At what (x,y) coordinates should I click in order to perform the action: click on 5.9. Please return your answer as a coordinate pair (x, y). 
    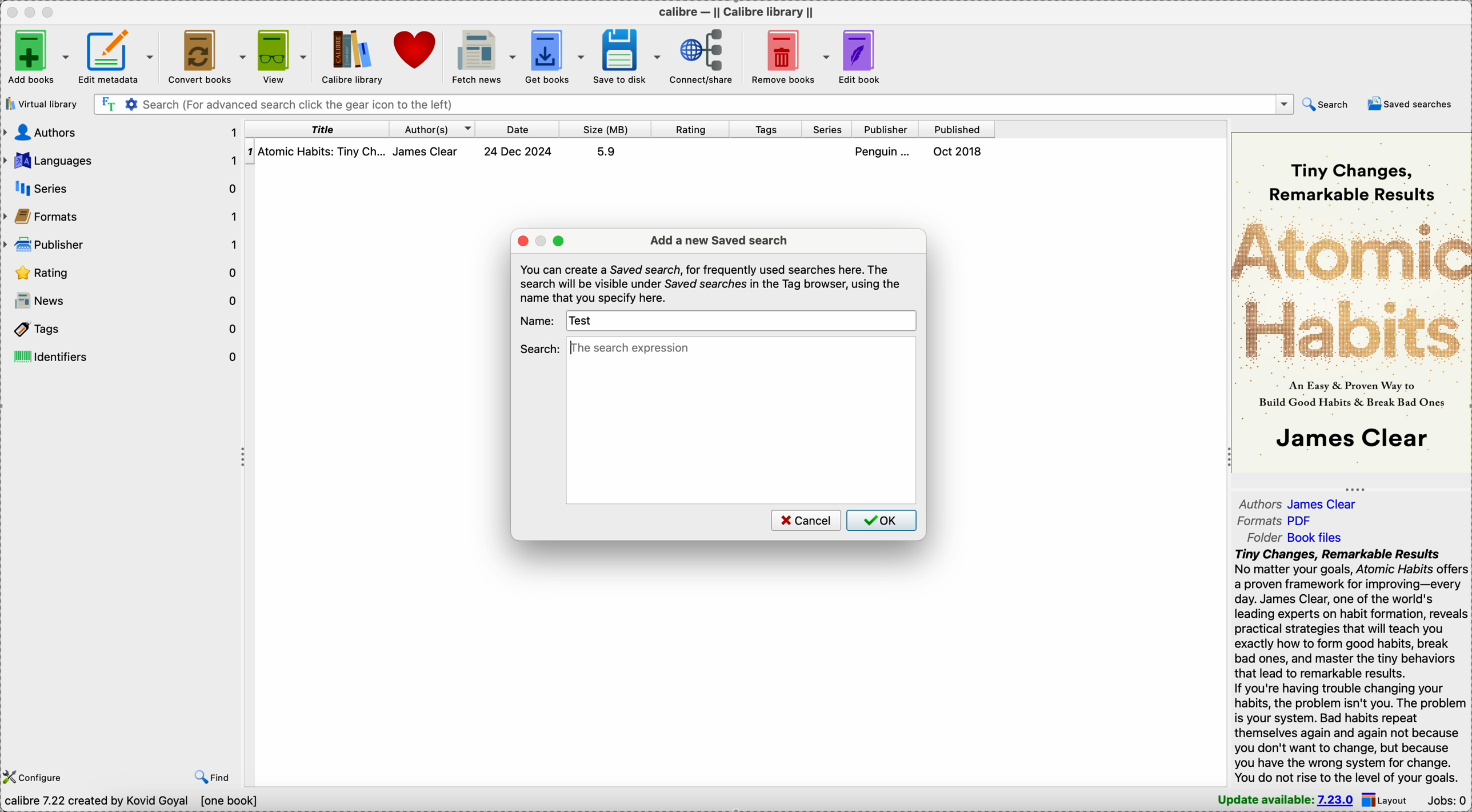
    Looking at the image, I should click on (606, 151).